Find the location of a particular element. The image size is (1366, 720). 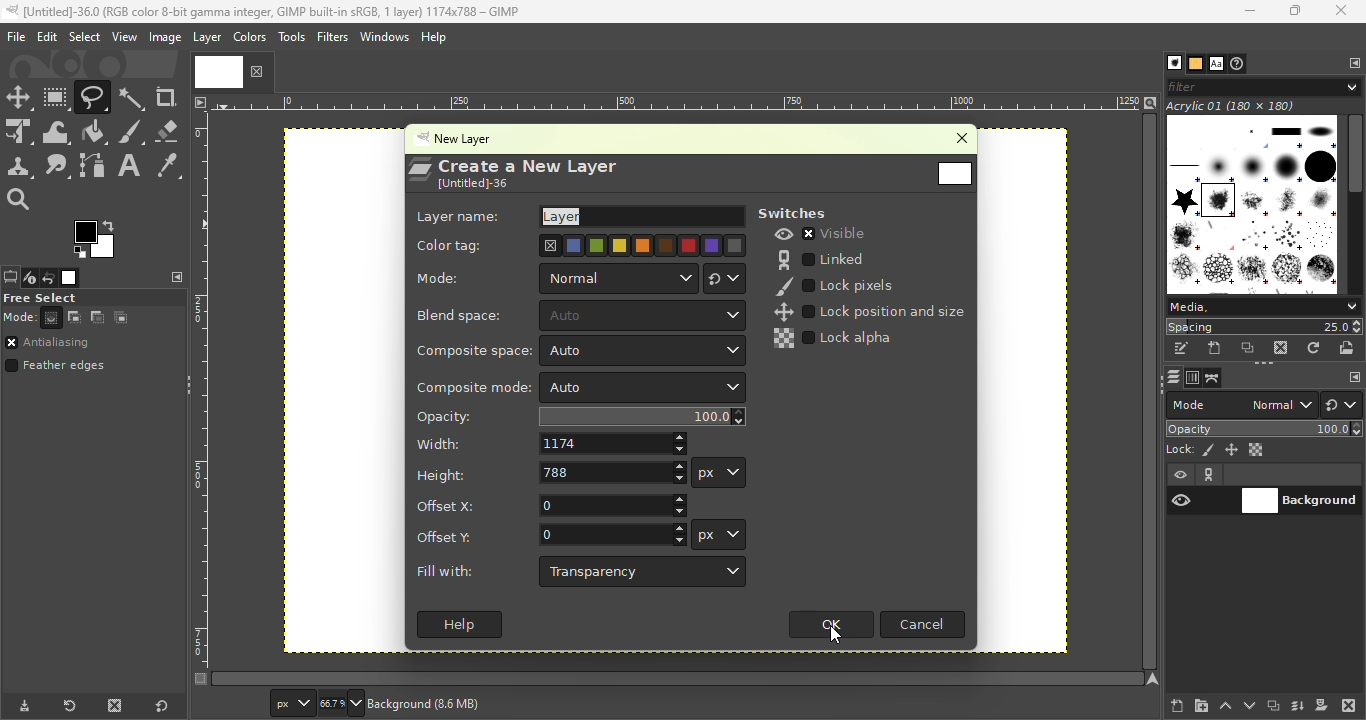

Composite space is located at coordinates (578, 351).